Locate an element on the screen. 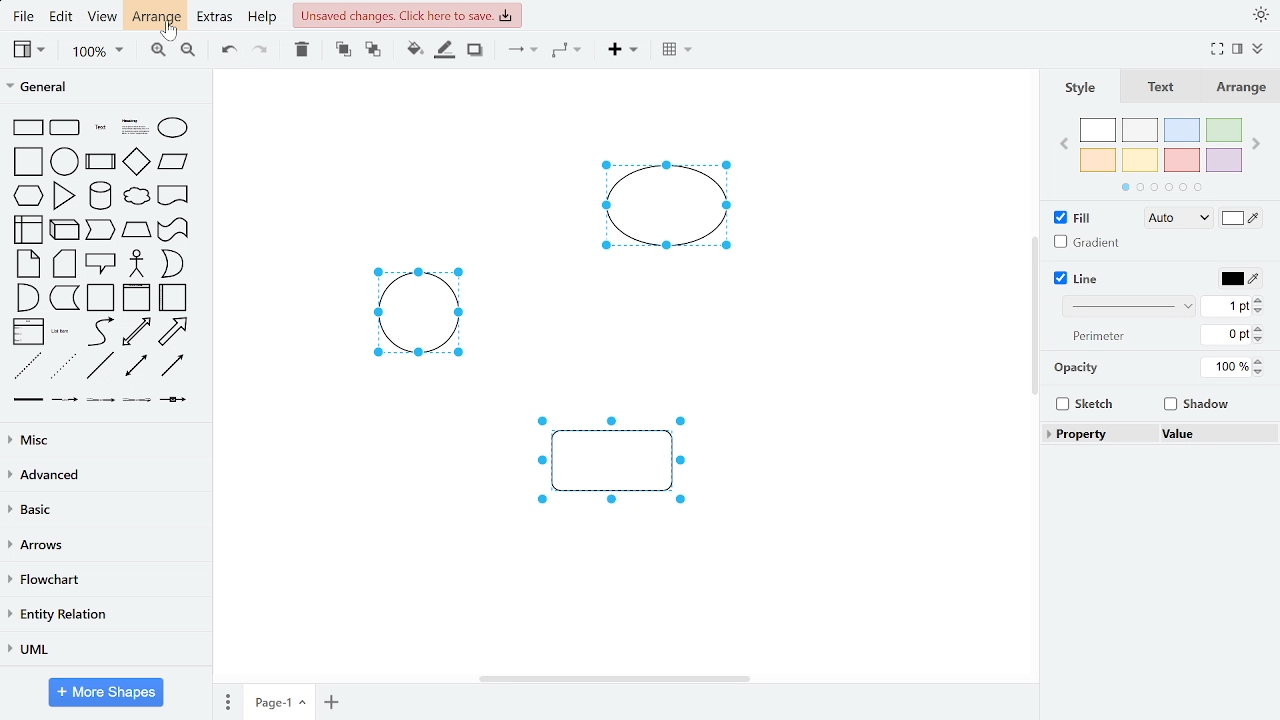 This screenshot has width=1280, height=720. circle is located at coordinates (65, 161).